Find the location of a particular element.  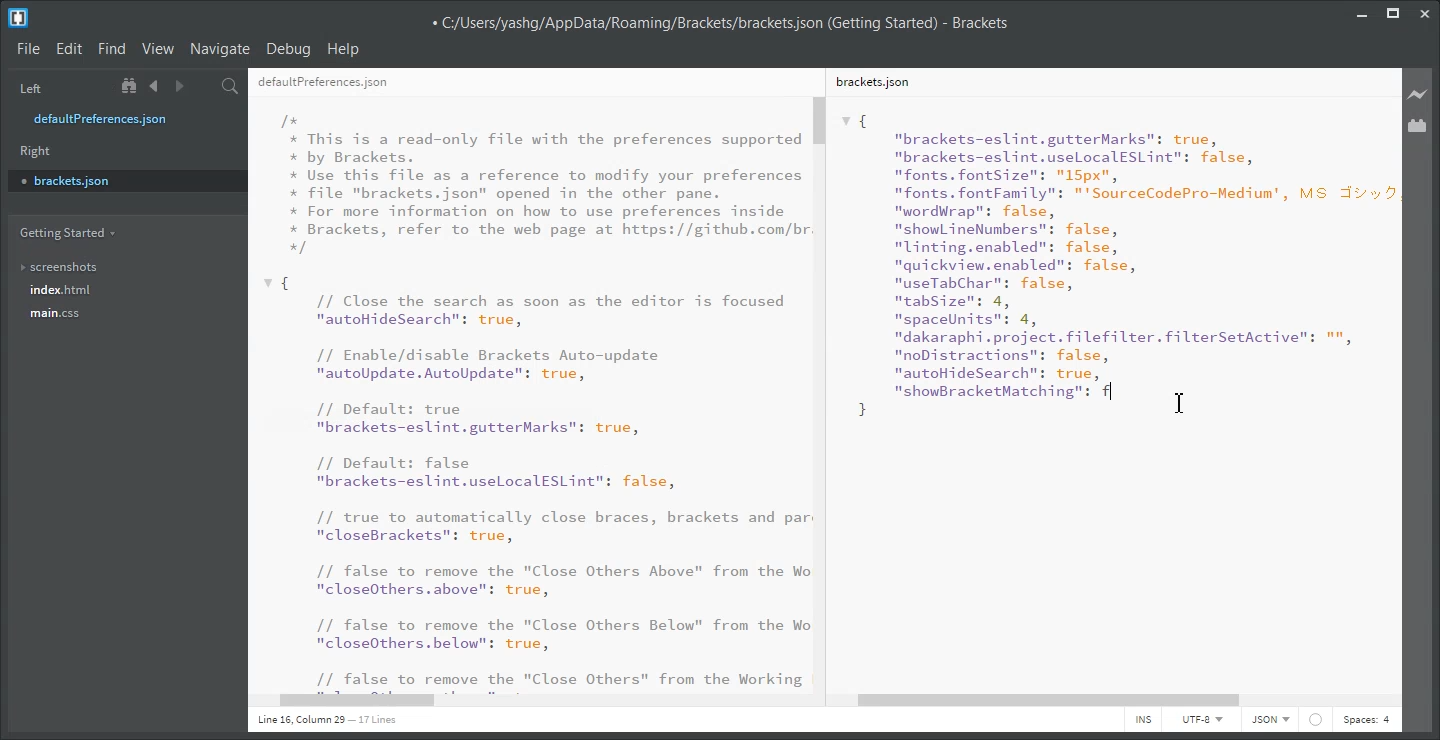

Getting Started is located at coordinates (66, 233).